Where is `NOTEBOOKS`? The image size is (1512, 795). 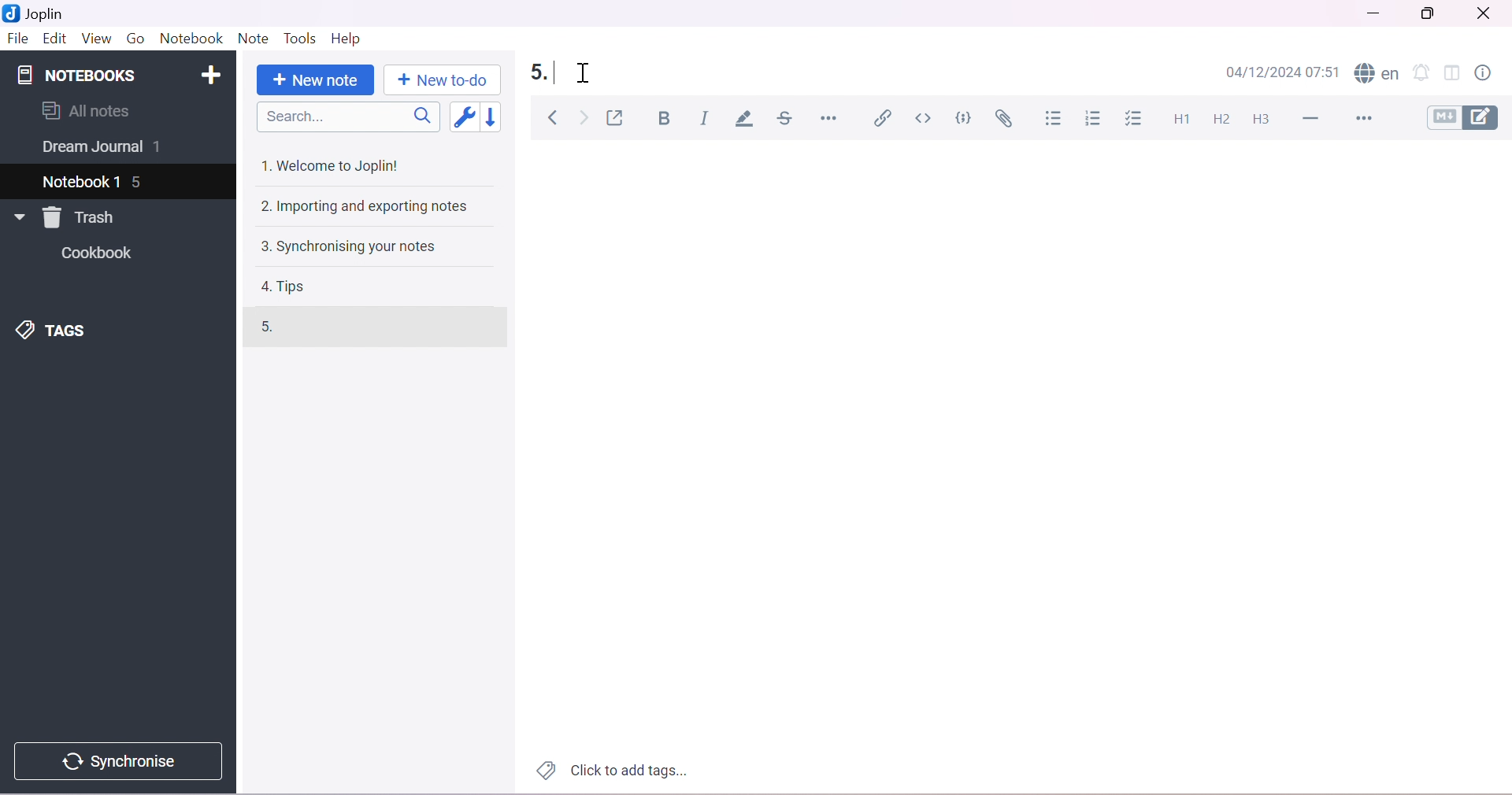
NOTEBOOKS is located at coordinates (75, 76).